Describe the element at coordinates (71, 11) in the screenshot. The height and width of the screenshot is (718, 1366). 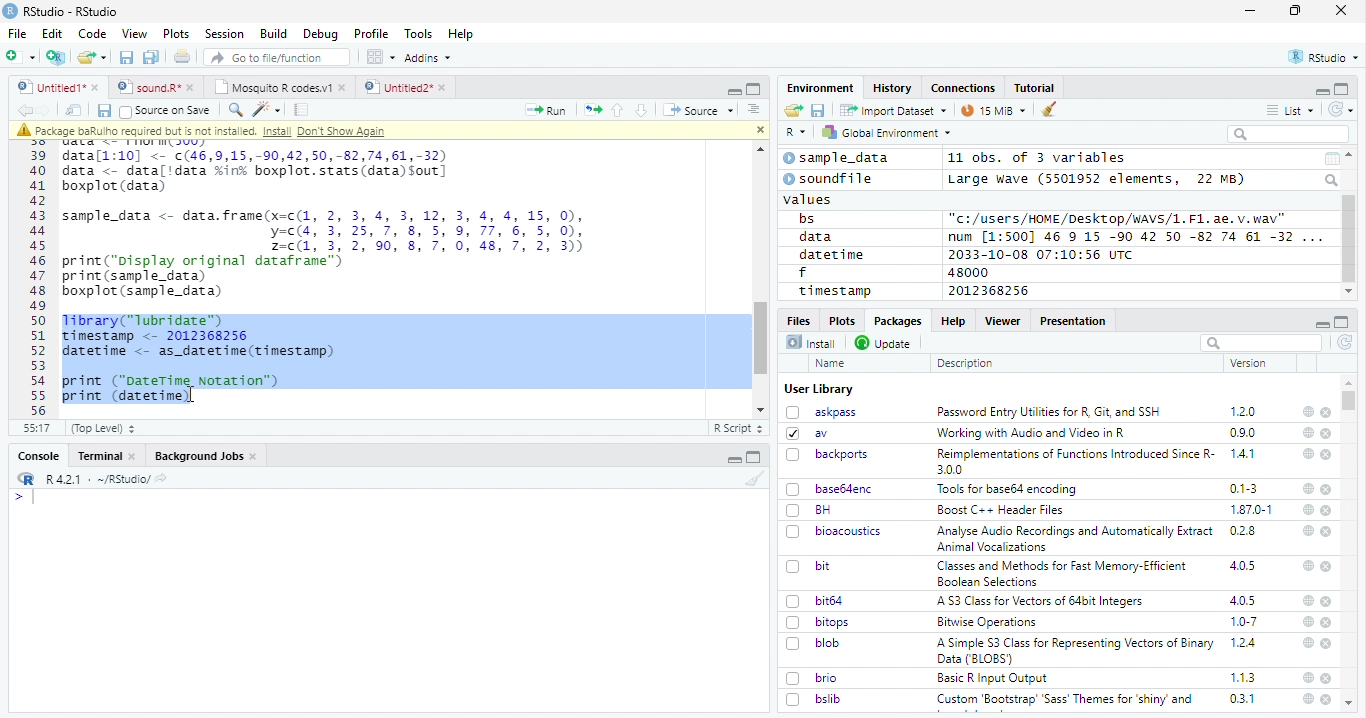
I see `RStudio - RStudio` at that location.